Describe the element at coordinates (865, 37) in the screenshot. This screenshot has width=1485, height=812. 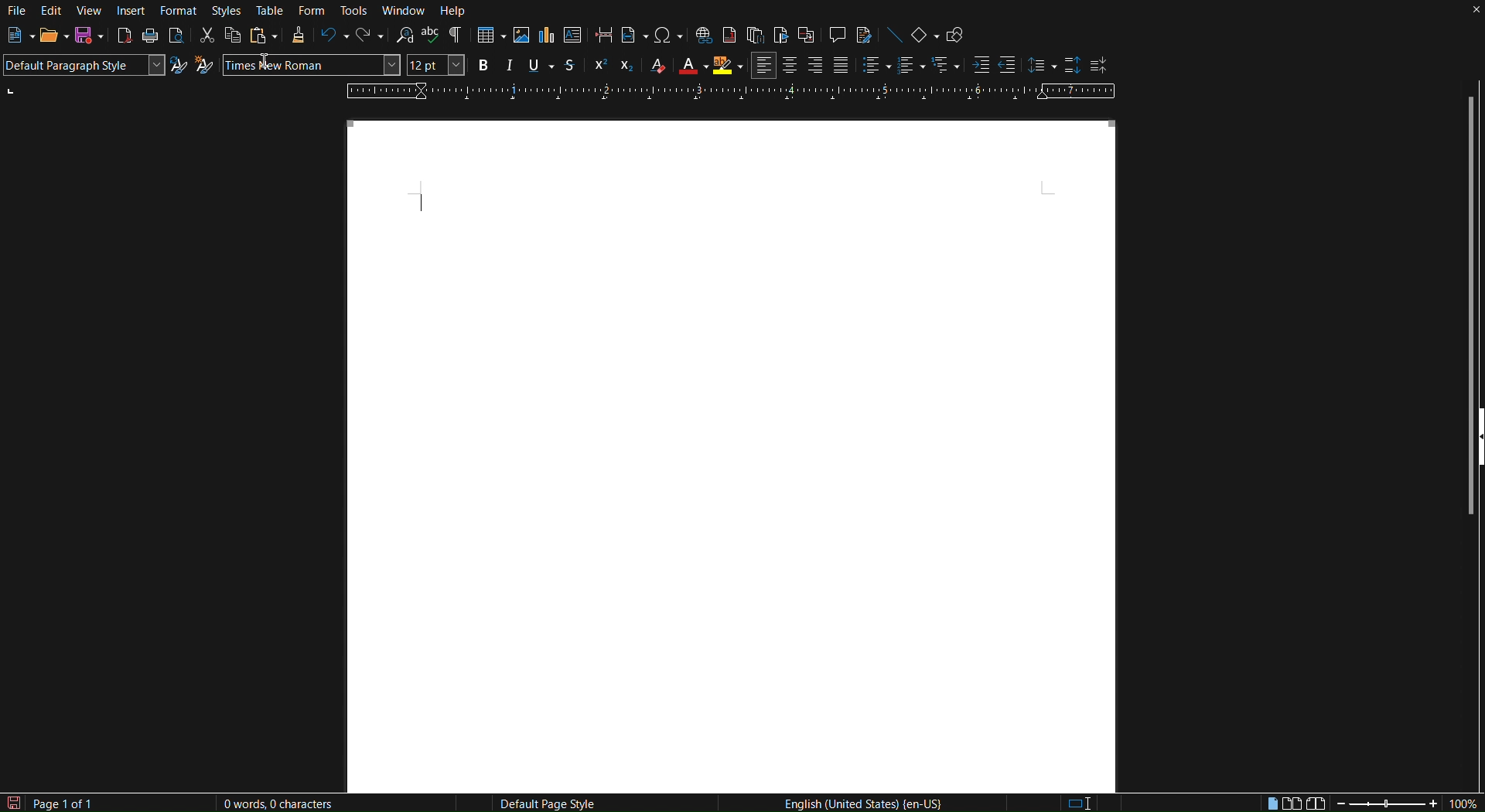
I see `Show Track Changes Functions` at that location.